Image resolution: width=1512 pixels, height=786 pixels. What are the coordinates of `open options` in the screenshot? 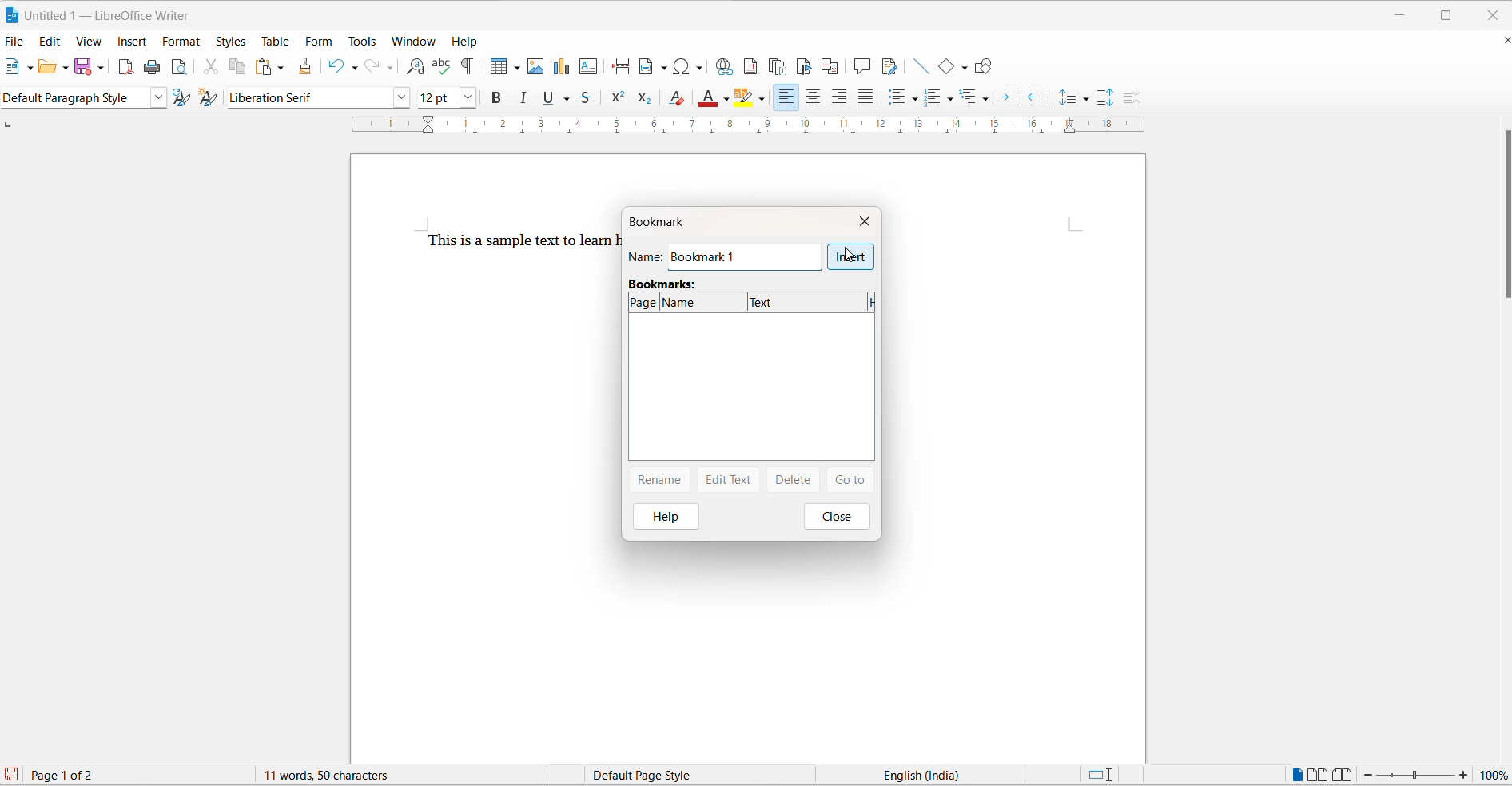 It's located at (66, 68).